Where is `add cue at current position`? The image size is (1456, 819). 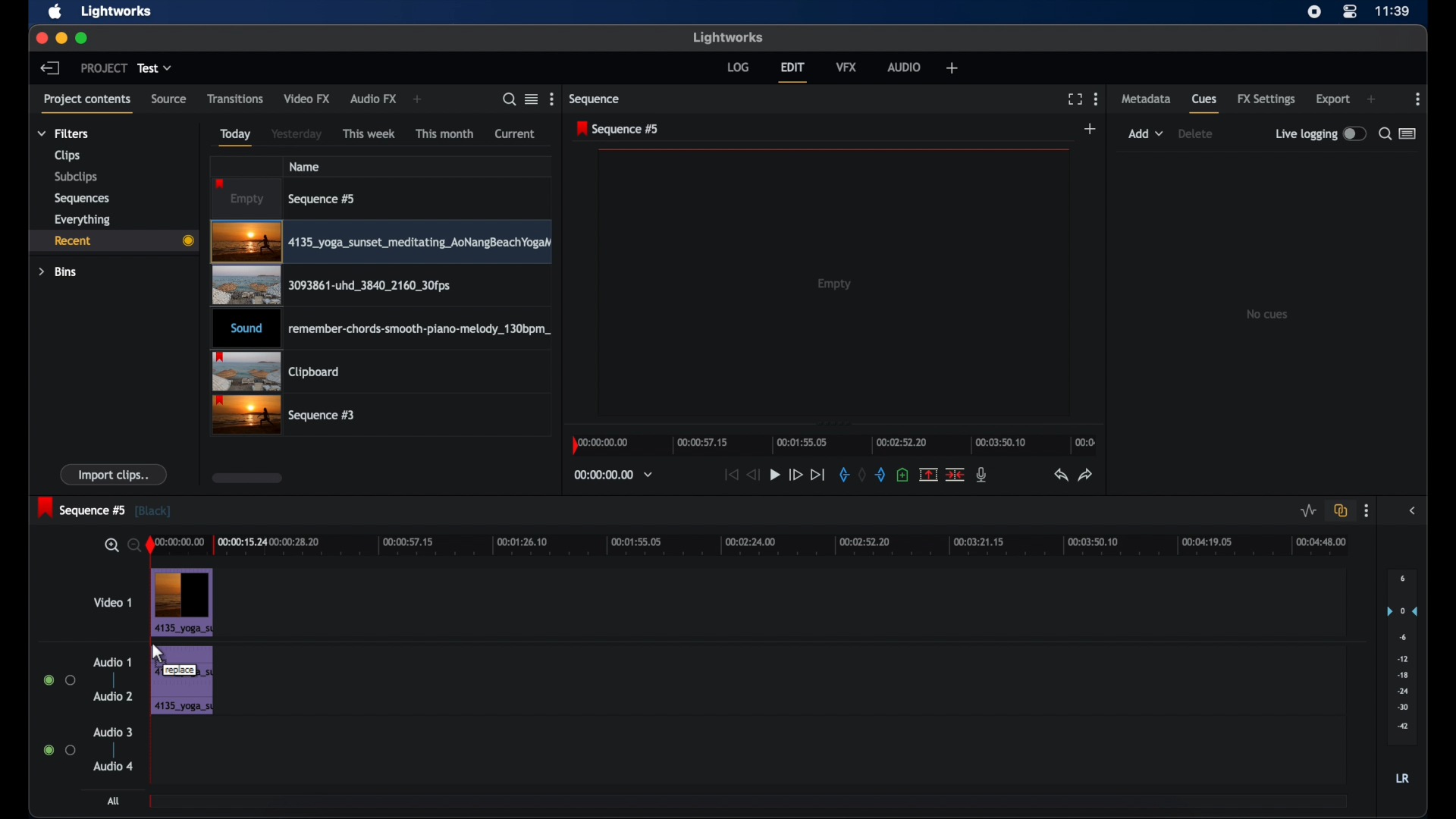 add cue at current position is located at coordinates (902, 474).